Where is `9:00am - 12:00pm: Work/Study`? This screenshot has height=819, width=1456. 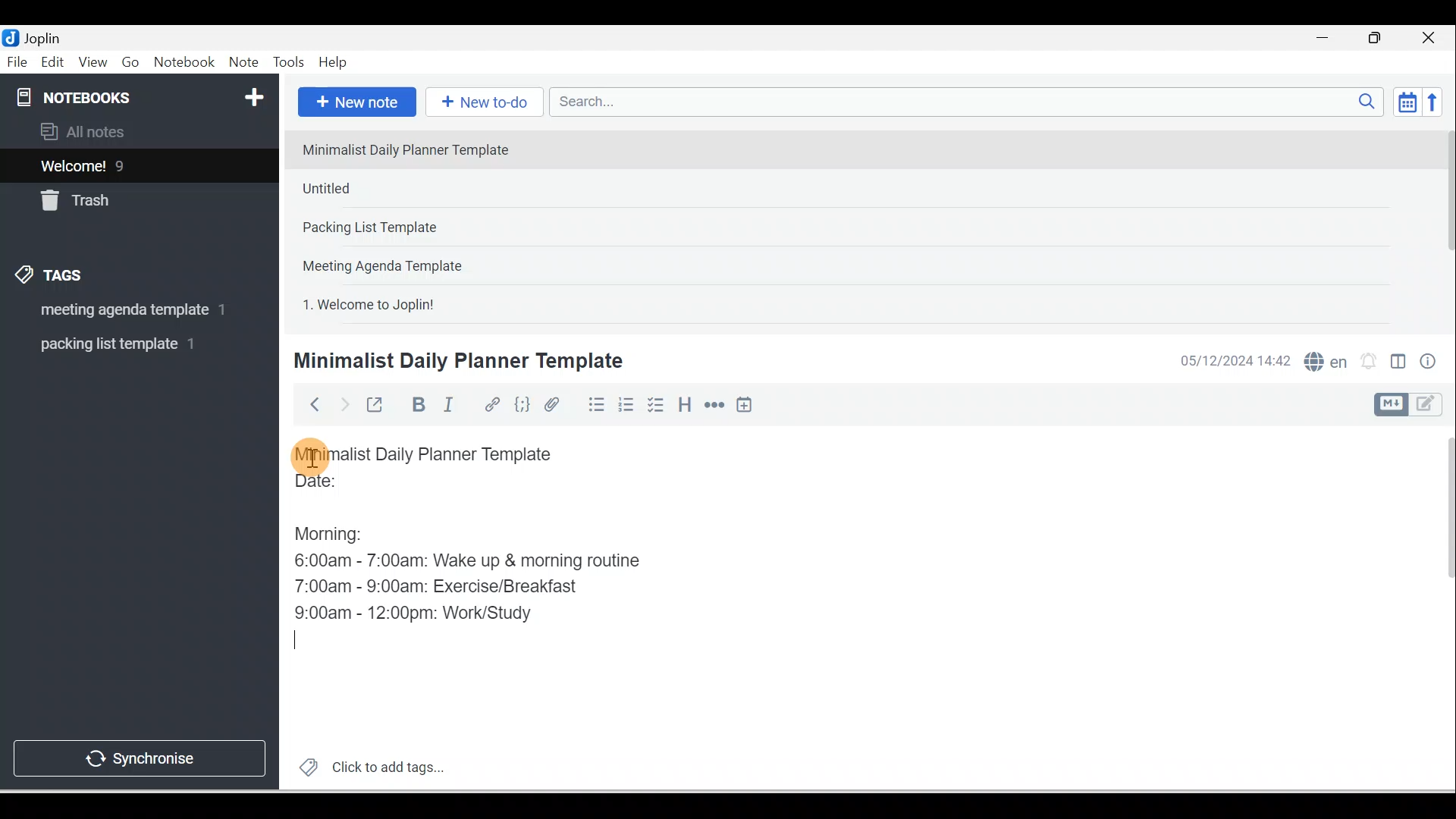
9:00am - 12:00pm: Work/Study is located at coordinates (419, 613).